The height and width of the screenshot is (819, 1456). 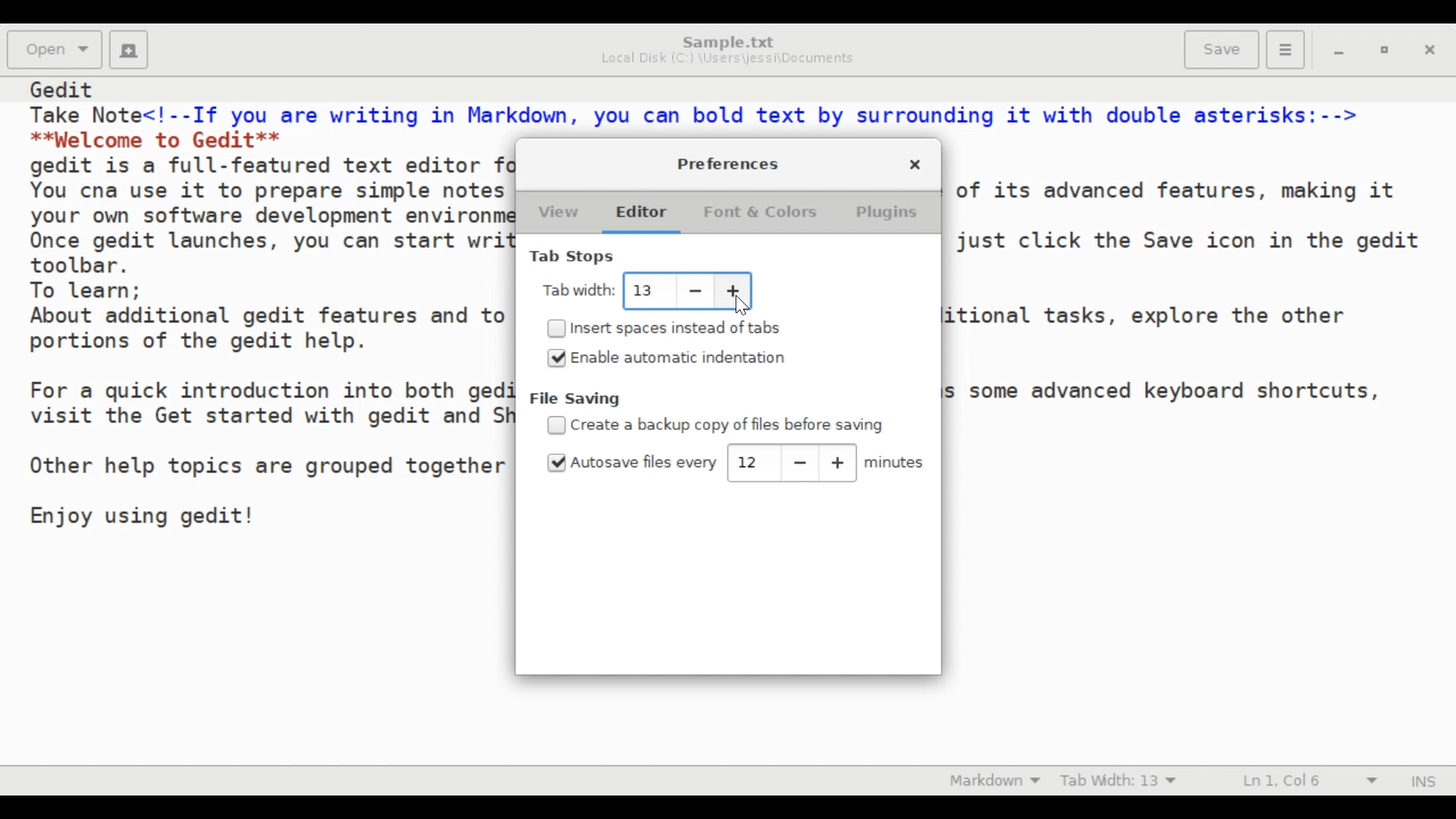 I want to click on Sample.txt, so click(x=729, y=40).